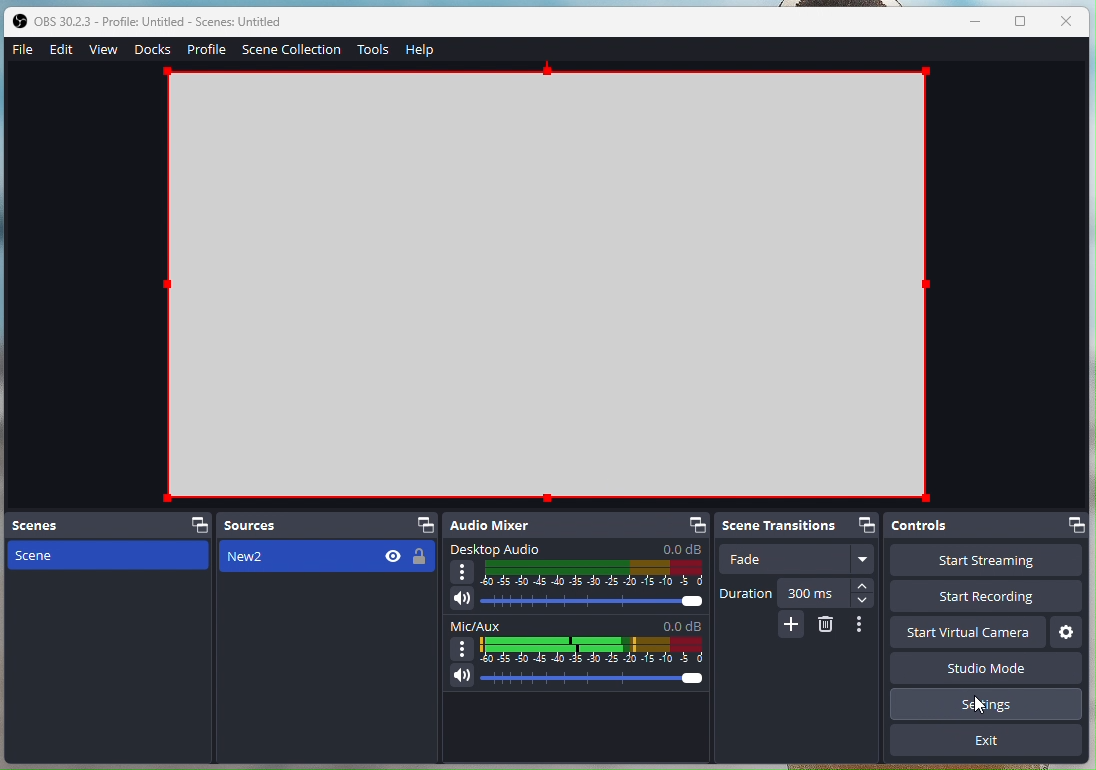 This screenshot has height=770, width=1096. Describe the element at coordinates (989, 741) in the screenshot. I see `Exit` at that location.